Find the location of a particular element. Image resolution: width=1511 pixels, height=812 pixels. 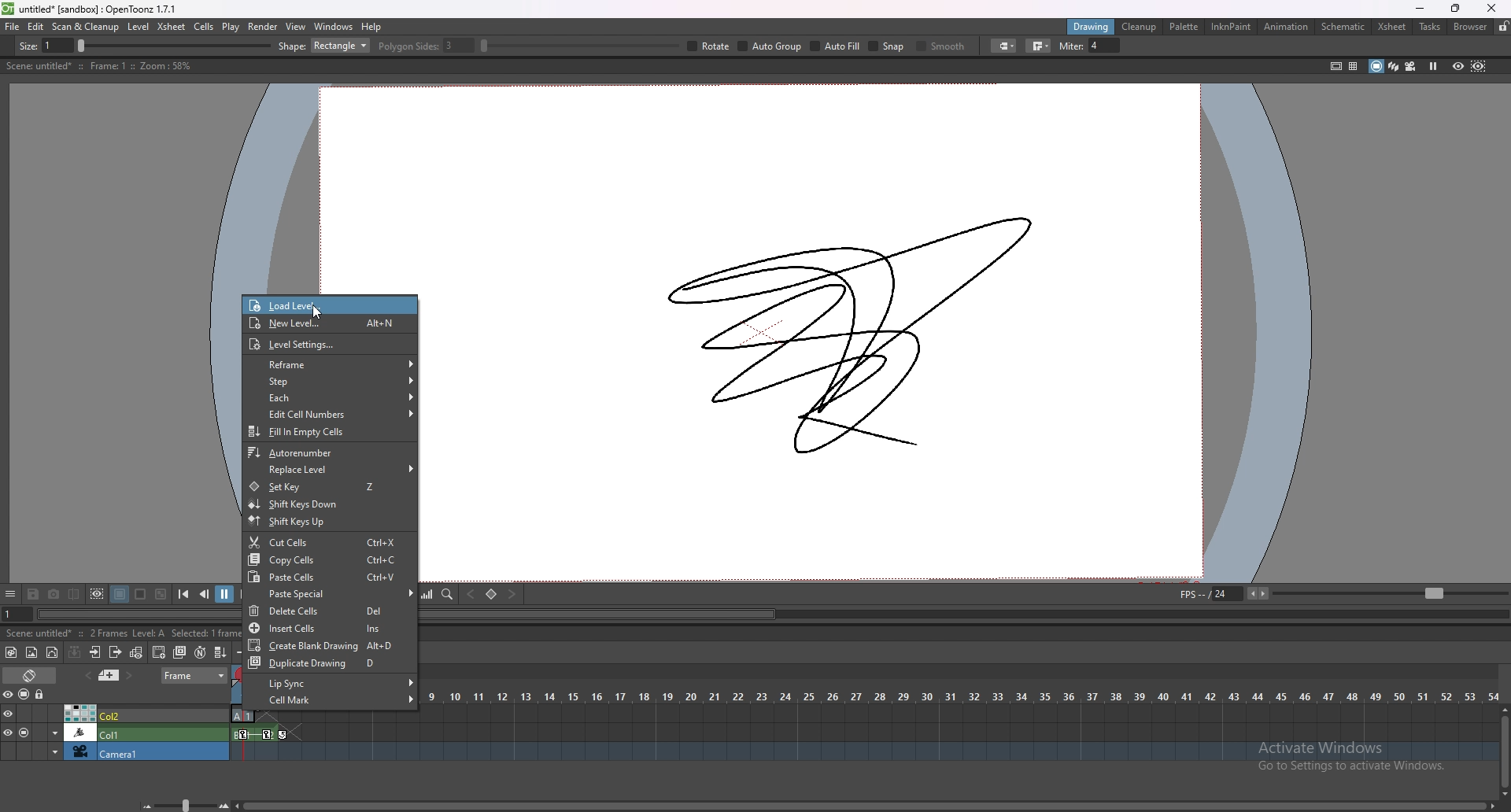

shape is located at coordinates (641, 46).